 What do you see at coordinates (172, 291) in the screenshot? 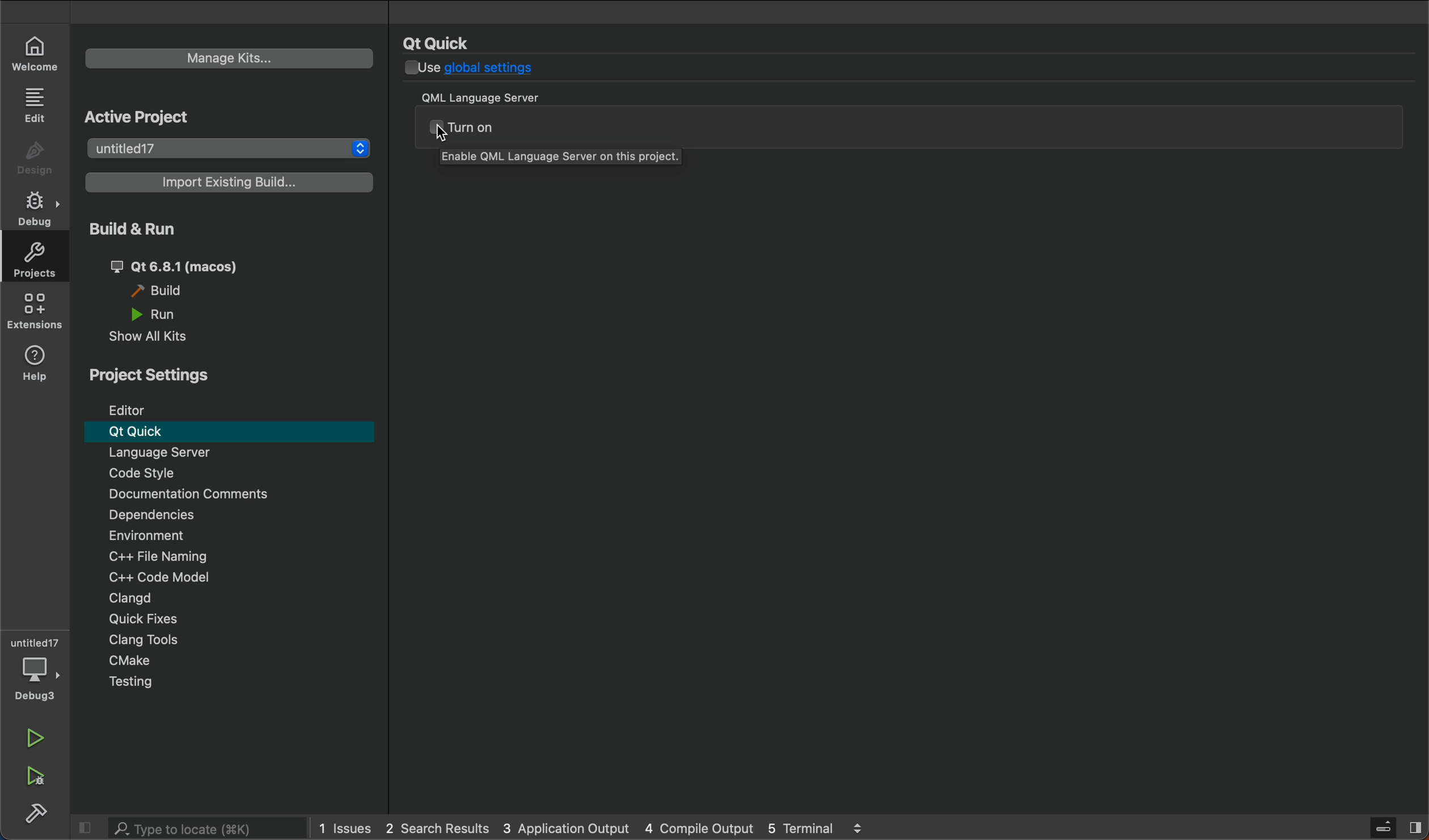
I see `build` at bounding box center [172, 291].